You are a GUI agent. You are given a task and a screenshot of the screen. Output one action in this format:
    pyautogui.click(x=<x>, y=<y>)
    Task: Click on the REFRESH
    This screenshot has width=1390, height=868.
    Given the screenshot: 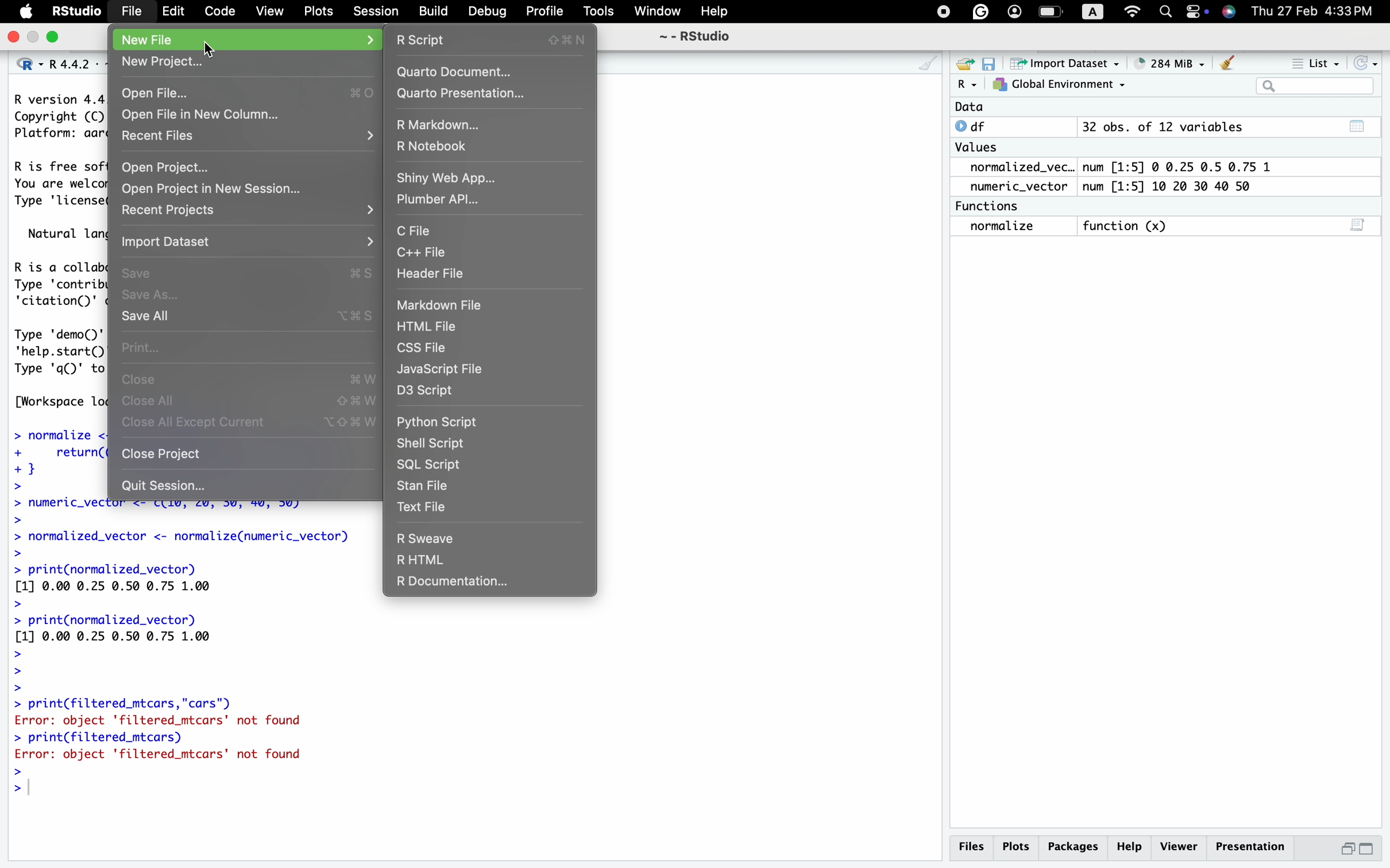 What is the action you would take?
    pyautogui.click(x=1364, y=61)
    